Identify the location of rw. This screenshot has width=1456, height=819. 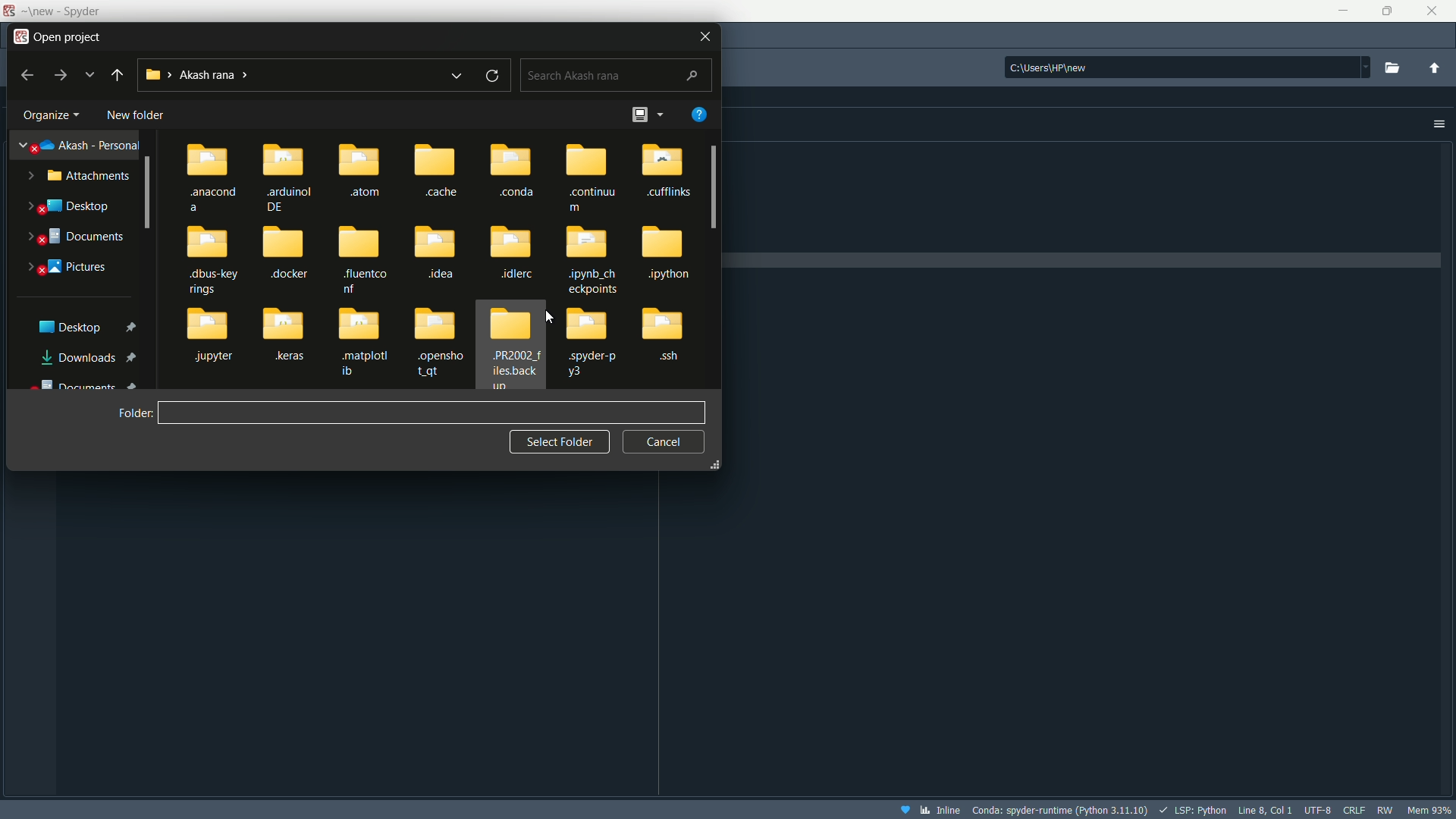
(1385, 810).